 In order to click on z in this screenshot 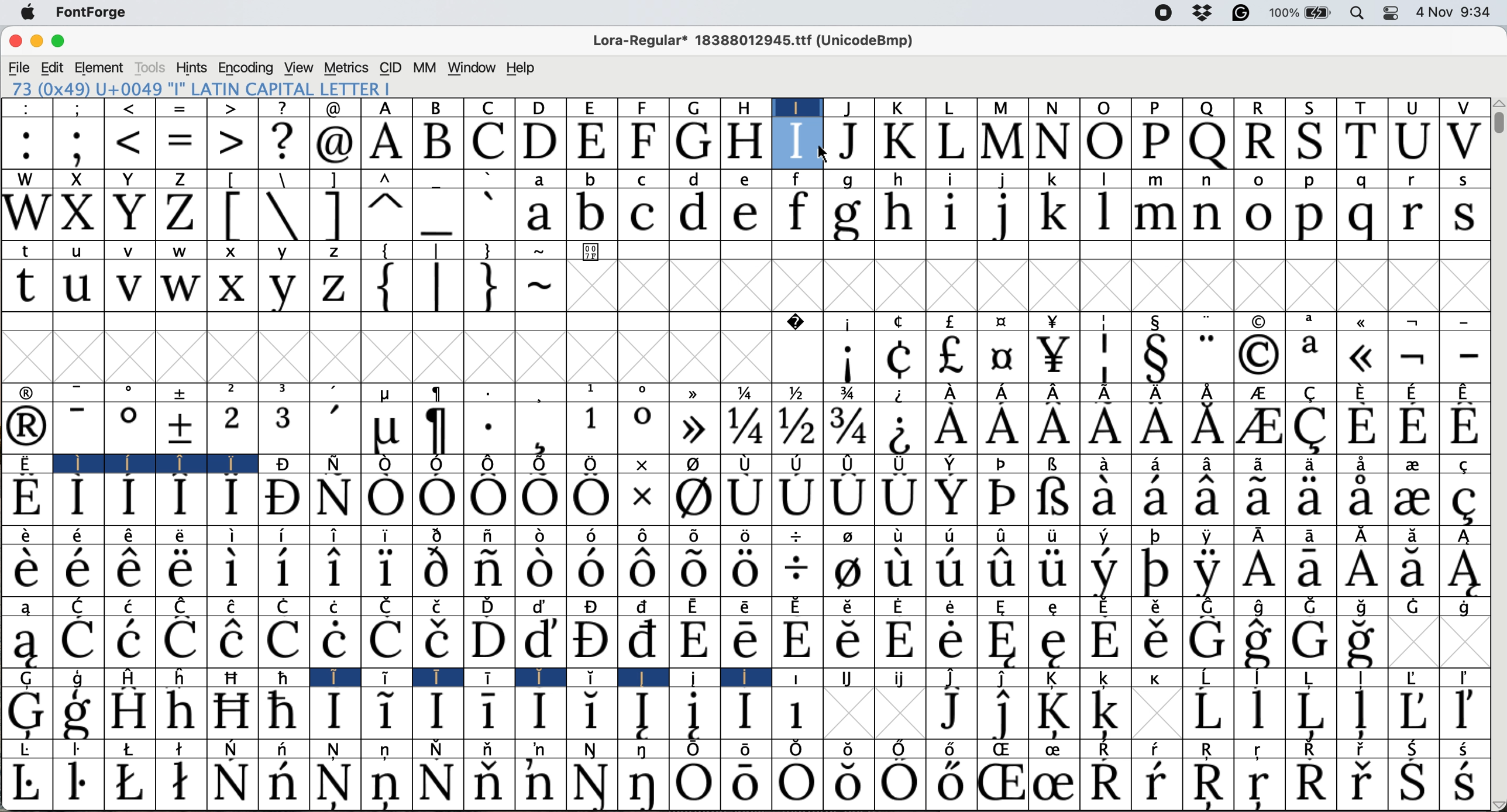, I will do `click(333, 288)`.